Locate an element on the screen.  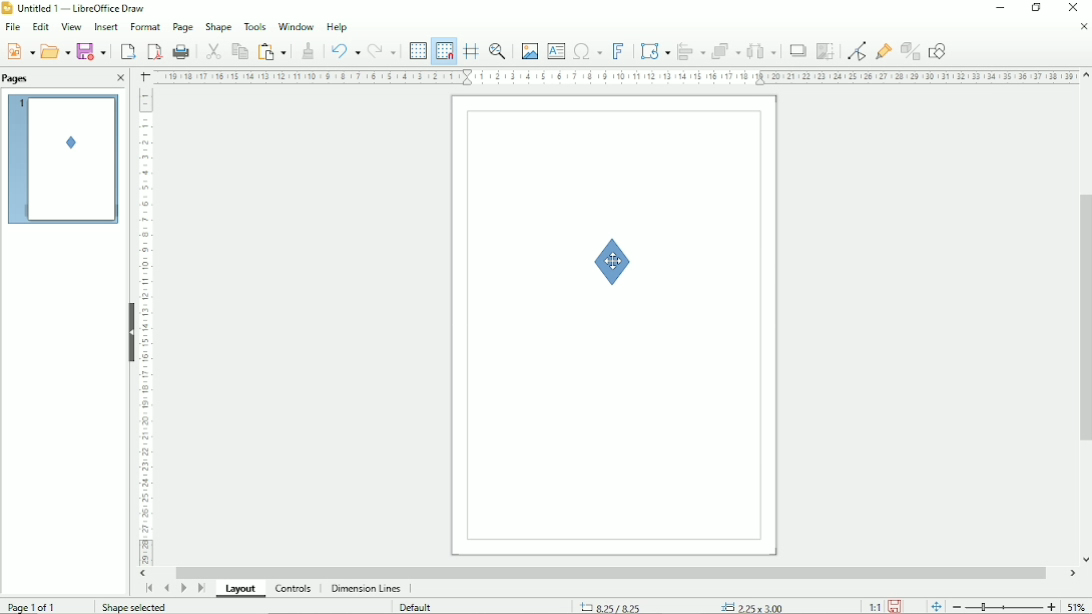
Minimize is located at coordinates (1000, 9).